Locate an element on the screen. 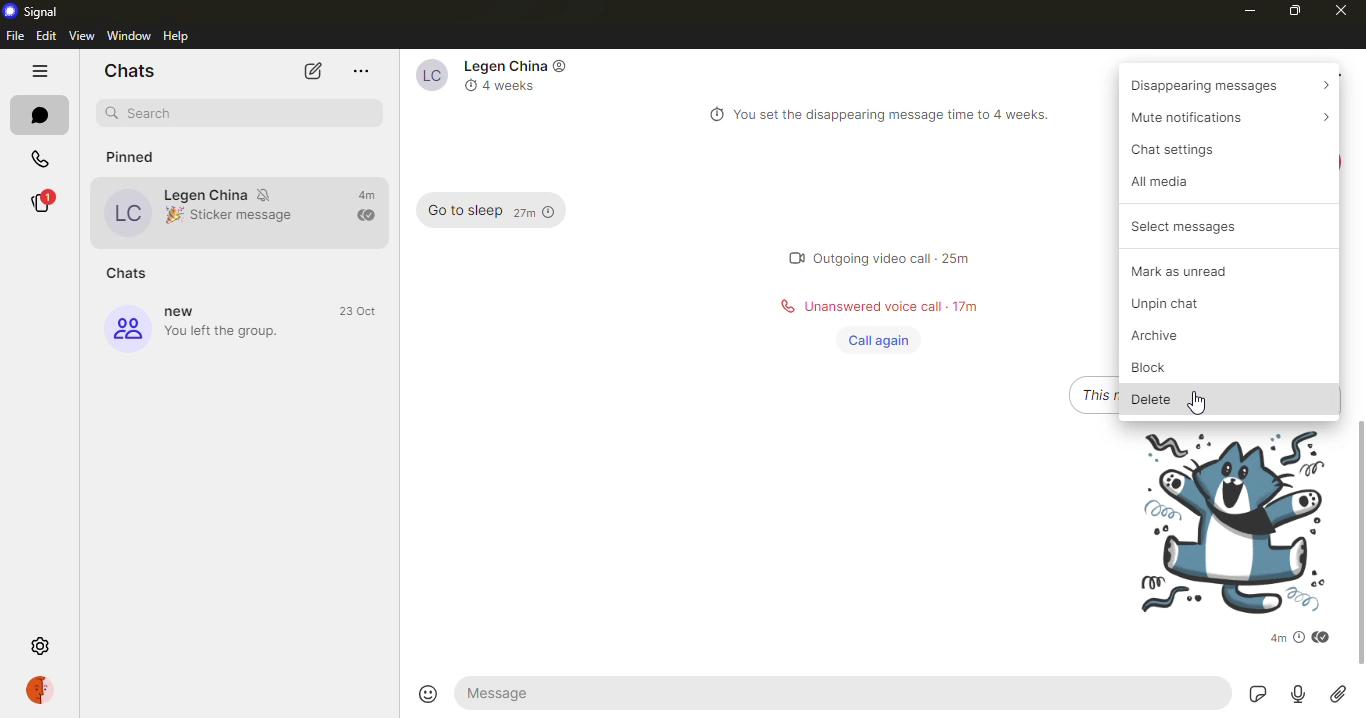  pinned is located at coordinates (143, 153).